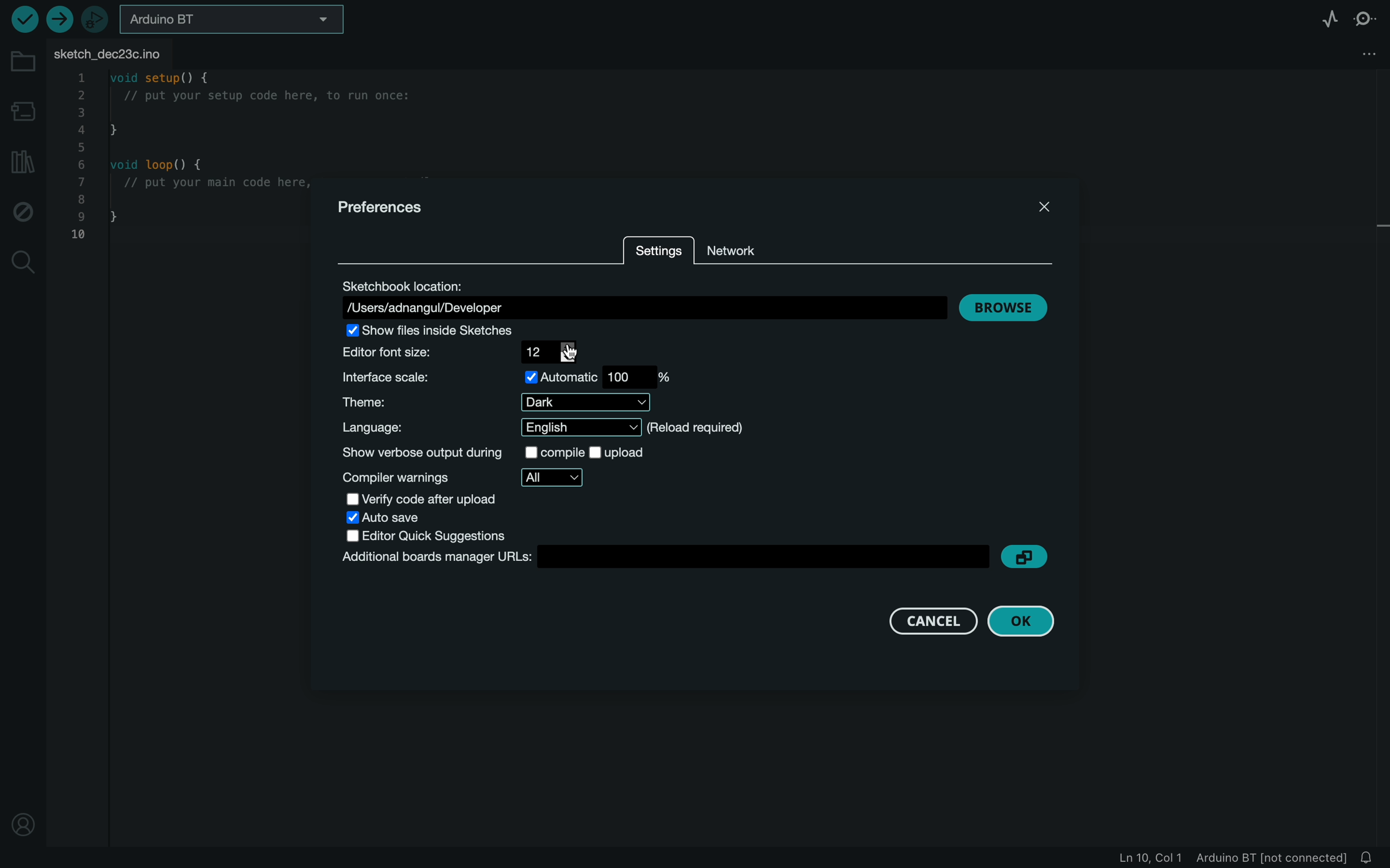  What do you see at coordinates (1041, 206) in the screenshot?
I see `close` at bounding box center [1041, 206].